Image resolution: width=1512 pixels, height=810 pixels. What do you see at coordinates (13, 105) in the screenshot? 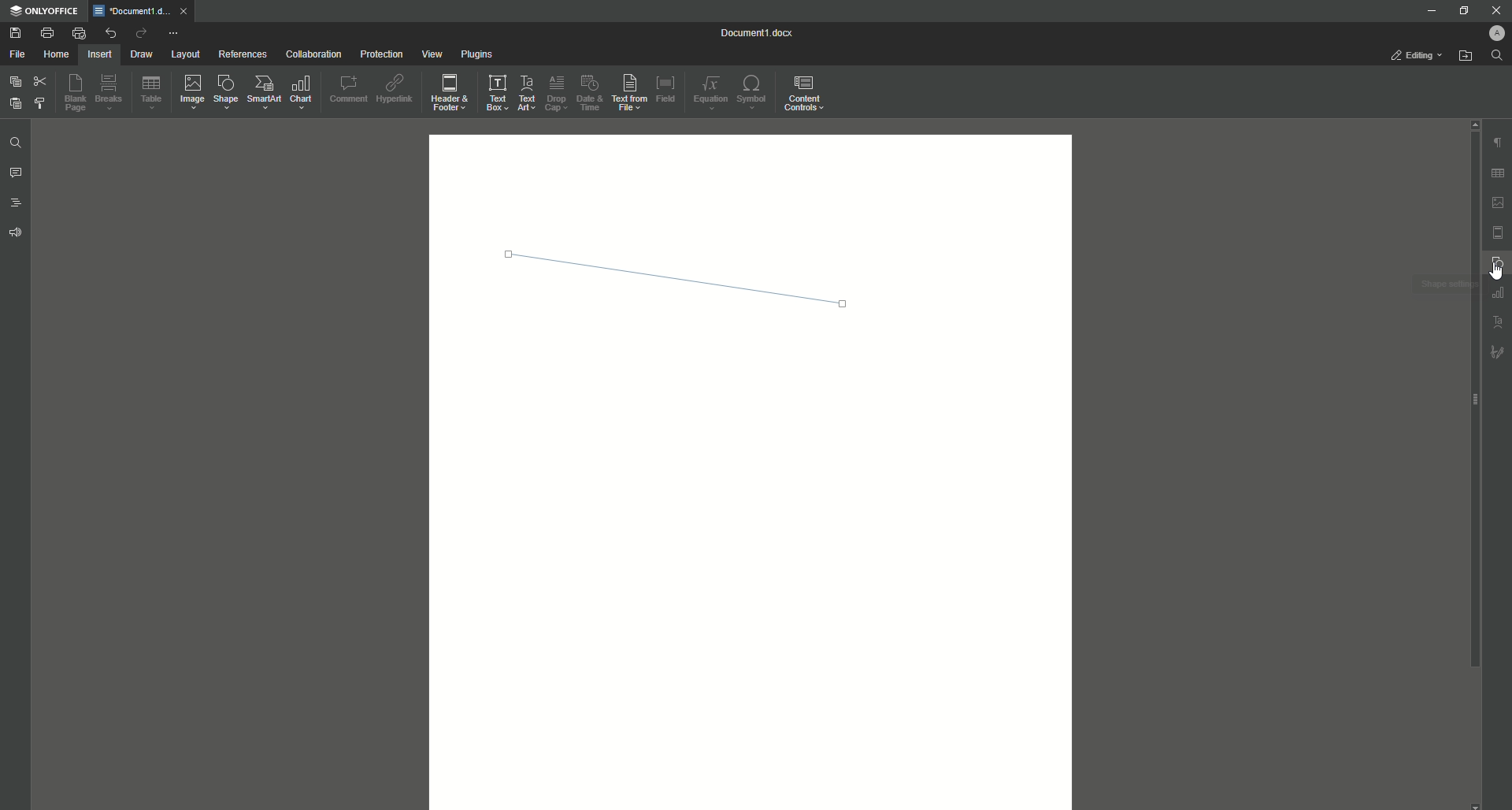
I see `Paste` at bounding box center [13, 105].